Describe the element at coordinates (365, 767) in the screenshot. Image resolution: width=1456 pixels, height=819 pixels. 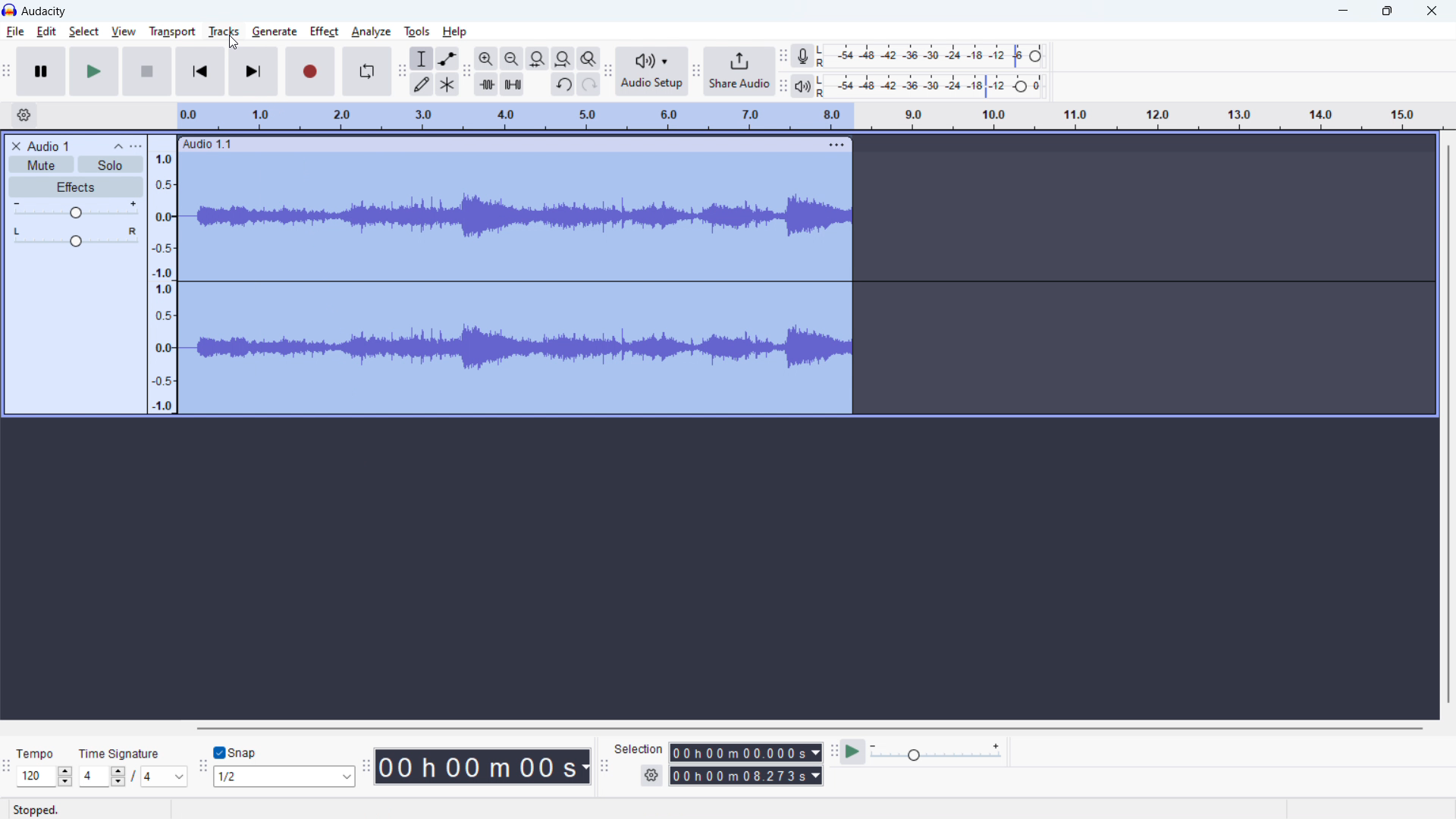
I see `time toolbar` at that location.